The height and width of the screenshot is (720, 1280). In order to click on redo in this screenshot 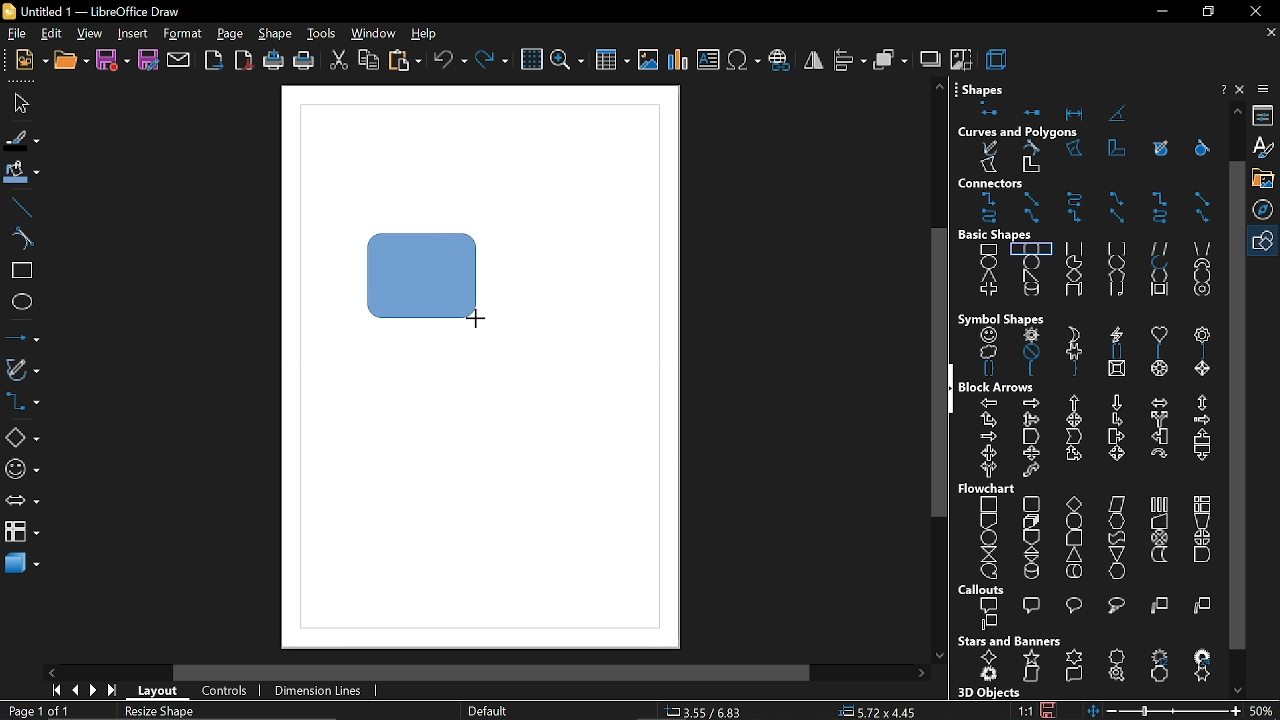, I will do `click(493, 62)`.